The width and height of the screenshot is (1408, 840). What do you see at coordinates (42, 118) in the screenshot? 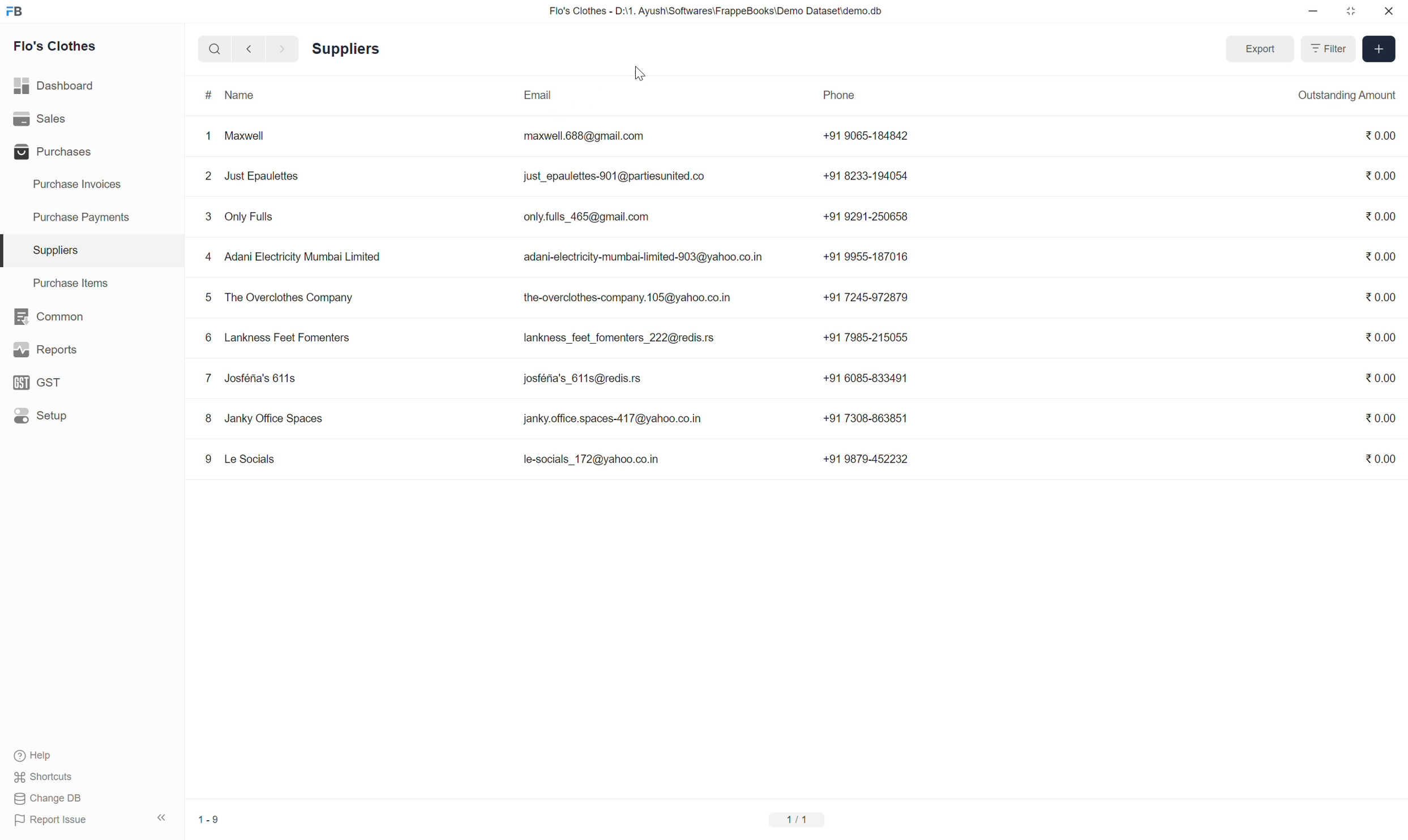
I see `Sales` at bounding box center [42, 118].